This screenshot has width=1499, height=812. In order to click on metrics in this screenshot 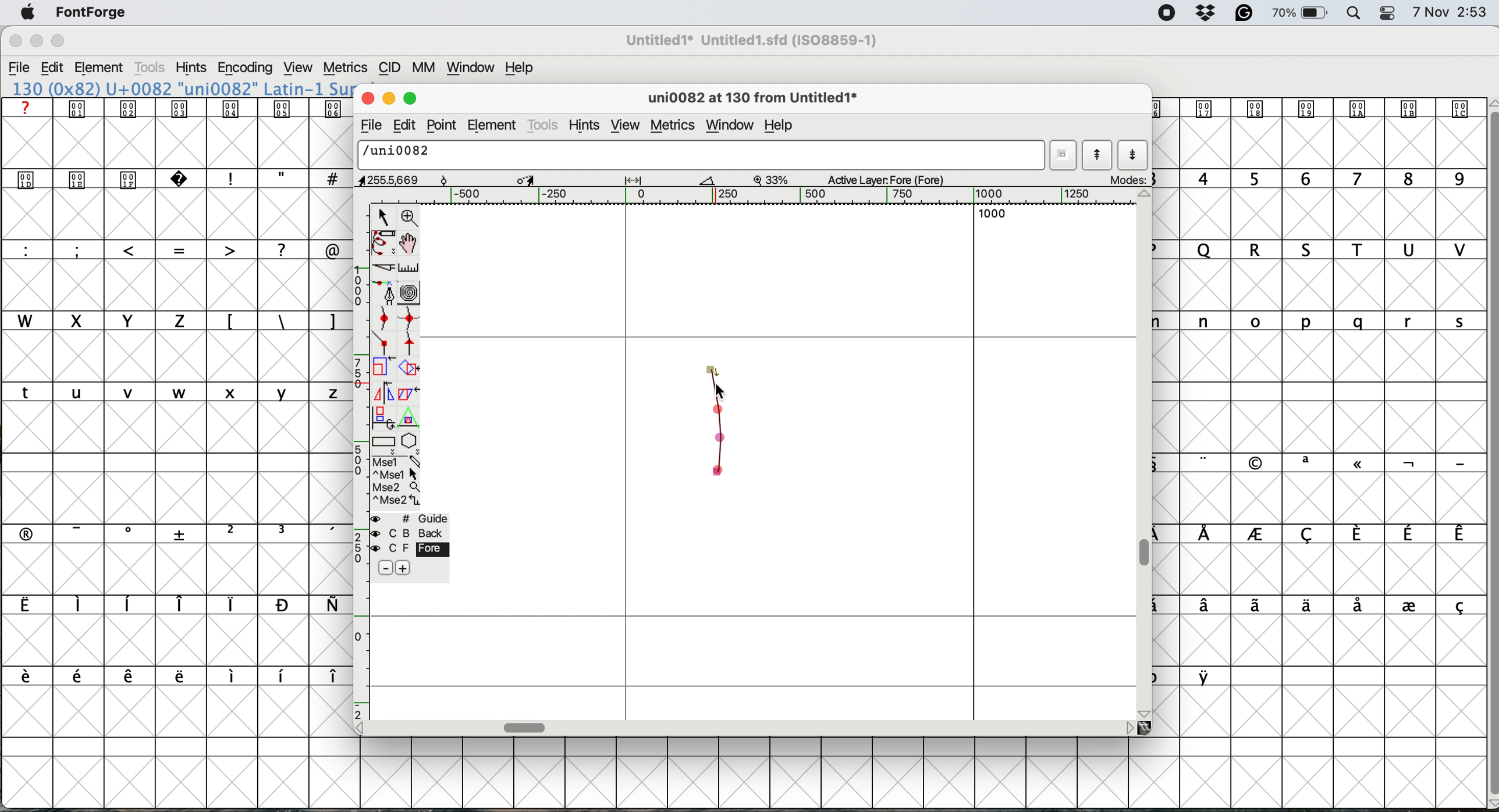, I will do `click(672, 125)`.